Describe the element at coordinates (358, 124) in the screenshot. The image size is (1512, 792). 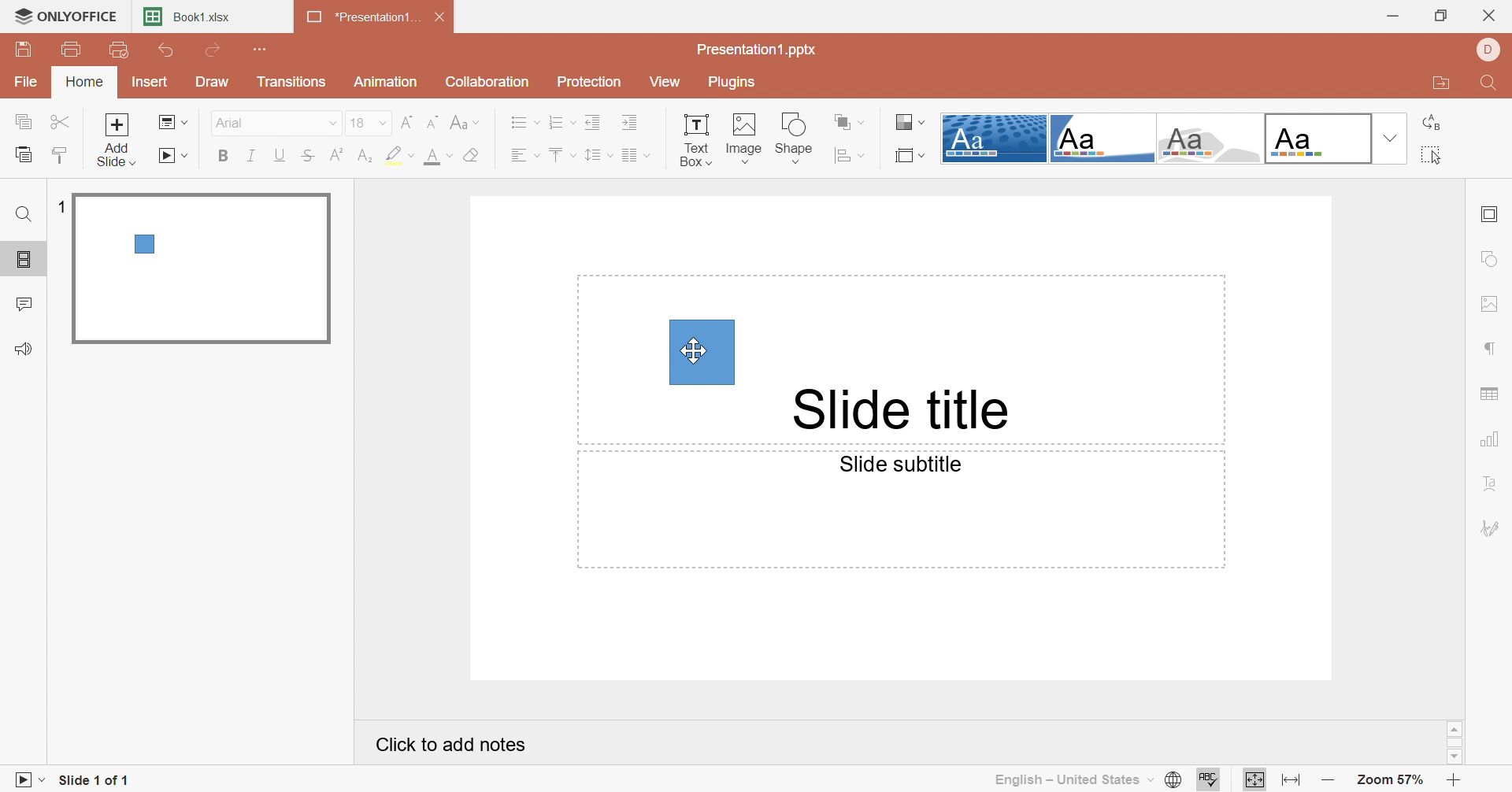
I see `18` at that location.